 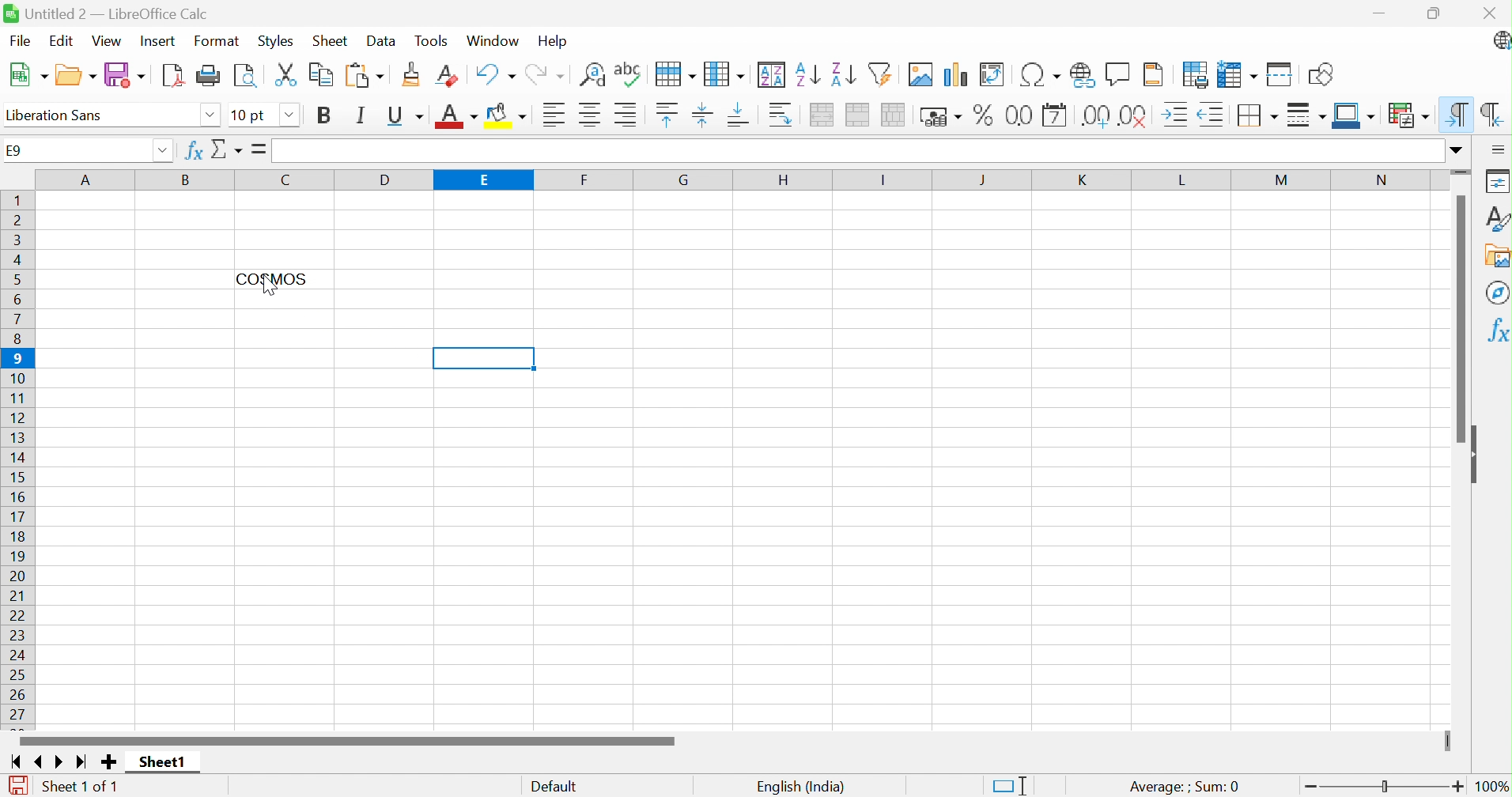 What do you see at coordinates (77, 146) in the screenshot?
I see `E9` at bounding box center [77, 146].